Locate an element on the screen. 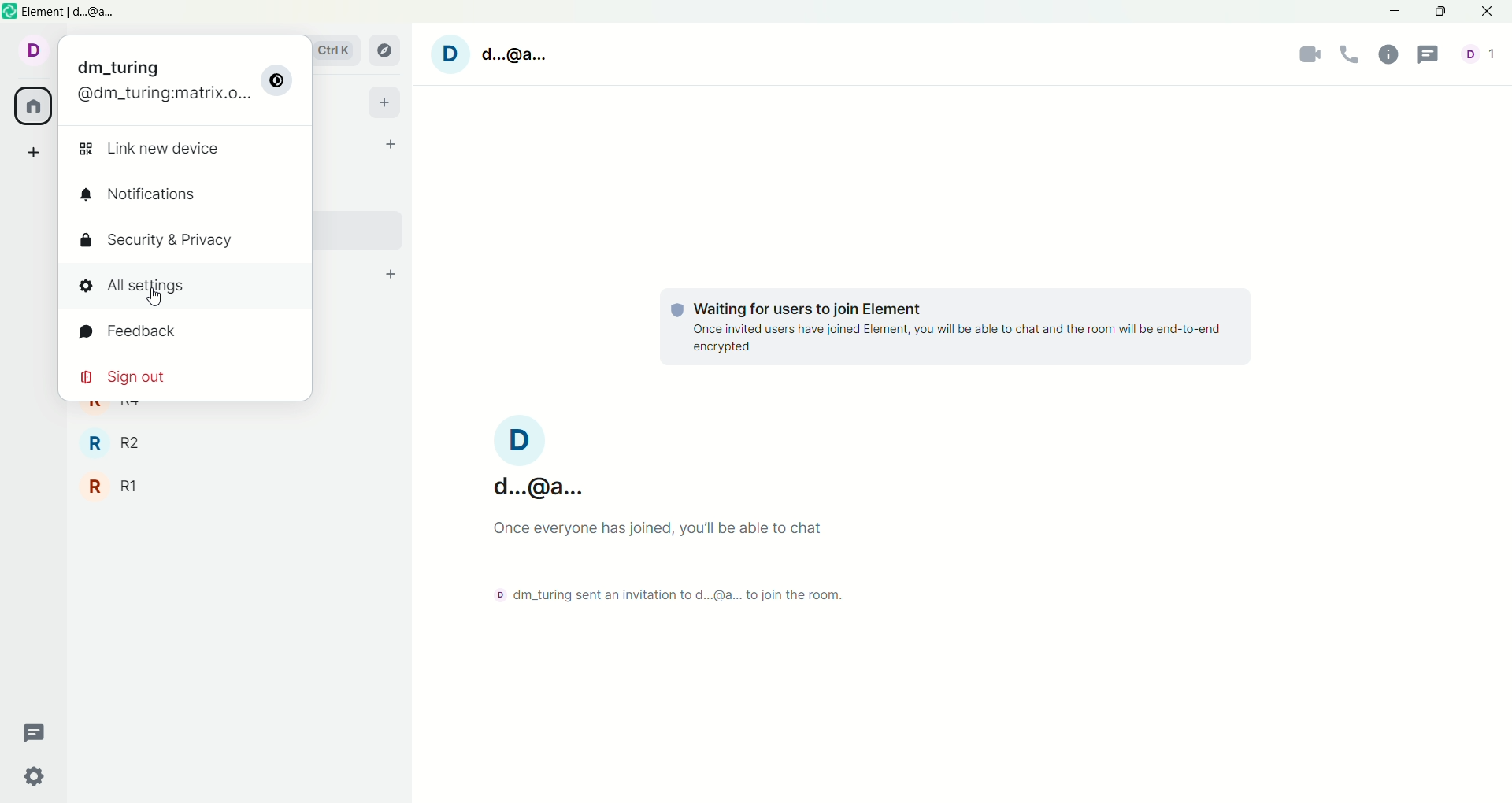 The image size is (1512, 803). quick settings is located at coordinates (37, 780).